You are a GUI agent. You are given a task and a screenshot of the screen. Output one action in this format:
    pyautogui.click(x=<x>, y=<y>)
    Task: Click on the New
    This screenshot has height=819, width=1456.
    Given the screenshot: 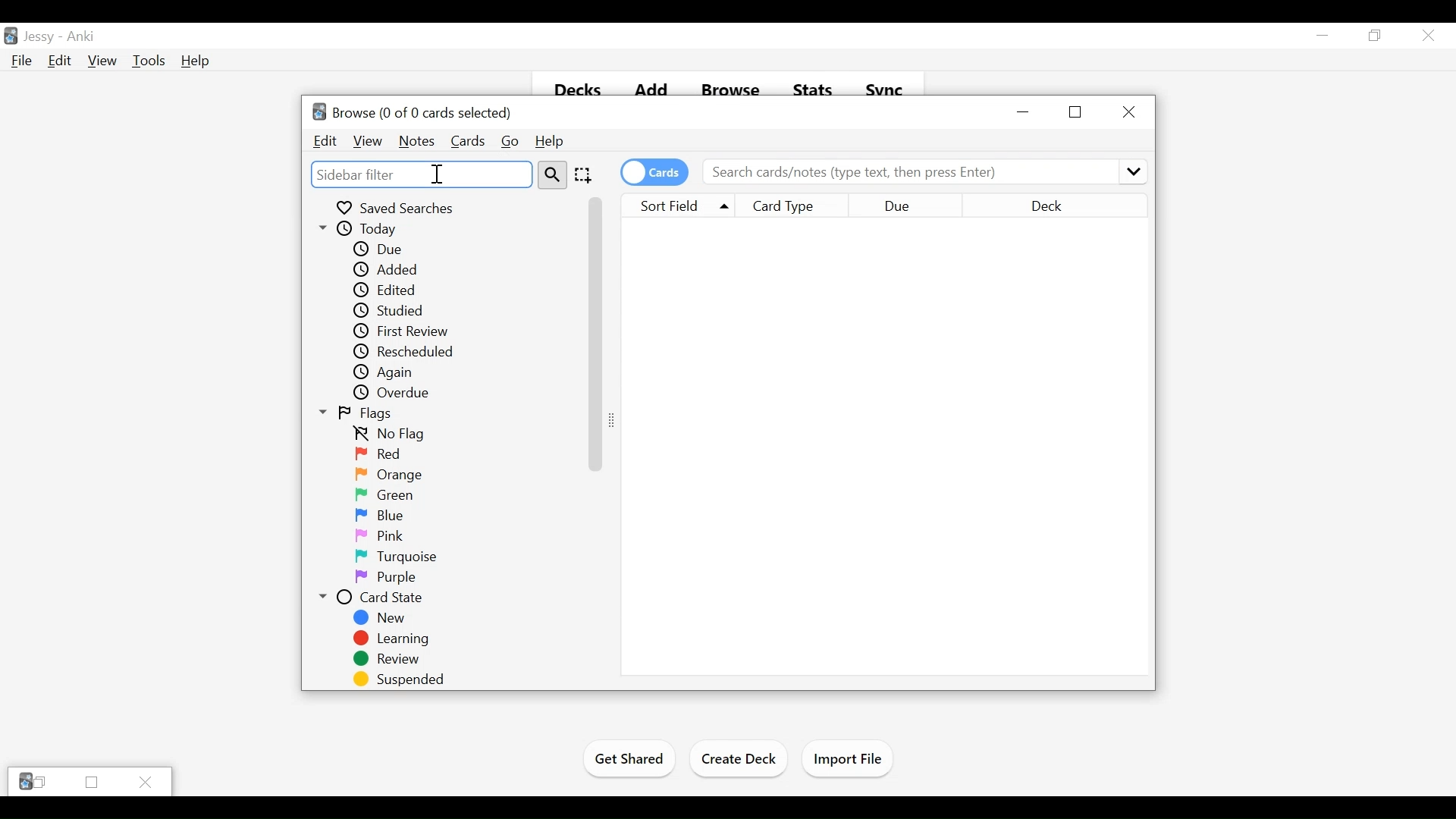 What is the action you would take?
    pyautogui.click(x=385, y=617)
    